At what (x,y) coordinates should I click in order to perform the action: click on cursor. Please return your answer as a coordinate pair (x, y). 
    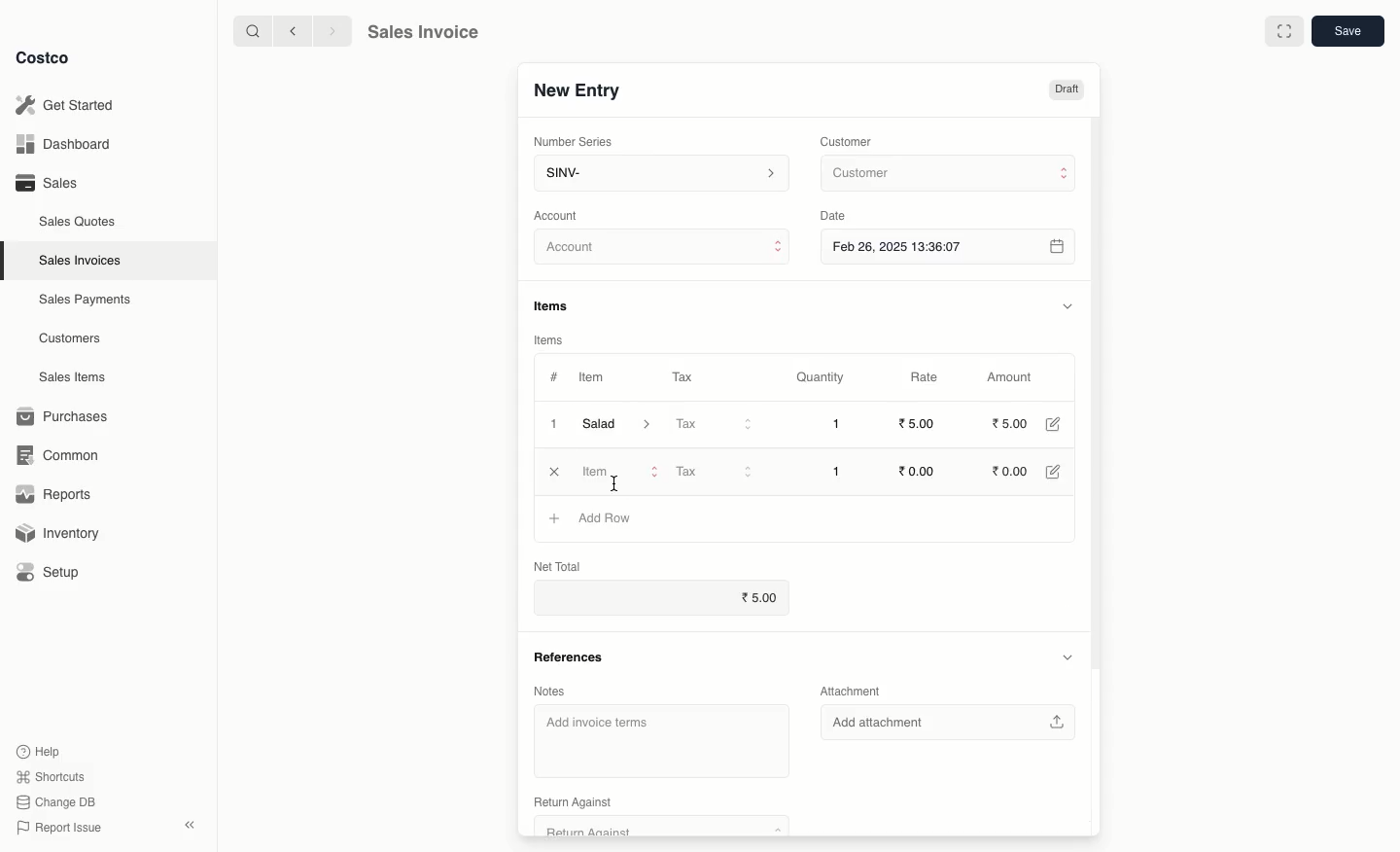
    Looking at the image, I should click on (614, 477).